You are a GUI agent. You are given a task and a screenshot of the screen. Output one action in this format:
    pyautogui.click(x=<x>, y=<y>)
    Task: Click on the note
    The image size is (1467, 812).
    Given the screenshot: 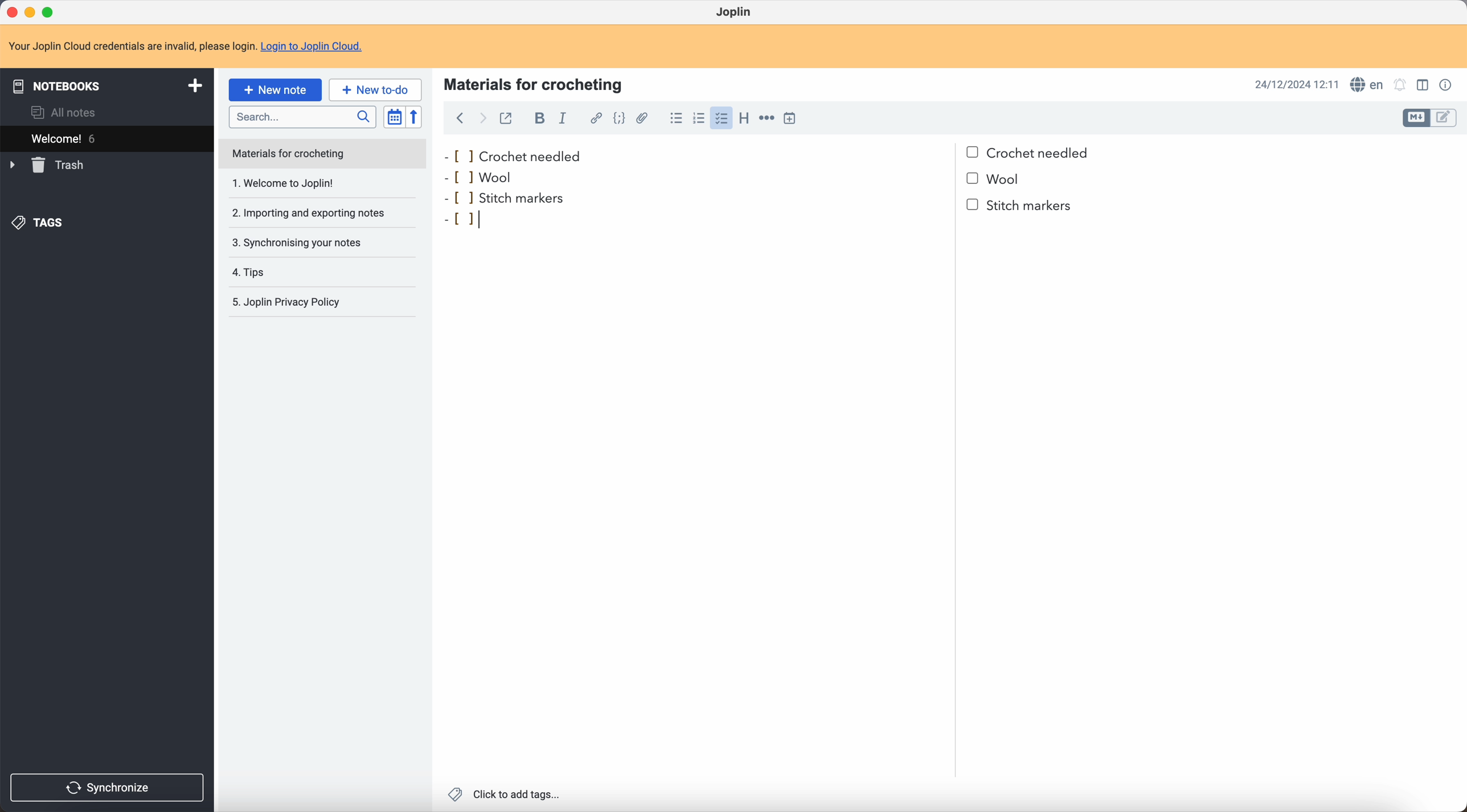 What is the action you would take?
    pyautogui.click(x=186, y=46)
    